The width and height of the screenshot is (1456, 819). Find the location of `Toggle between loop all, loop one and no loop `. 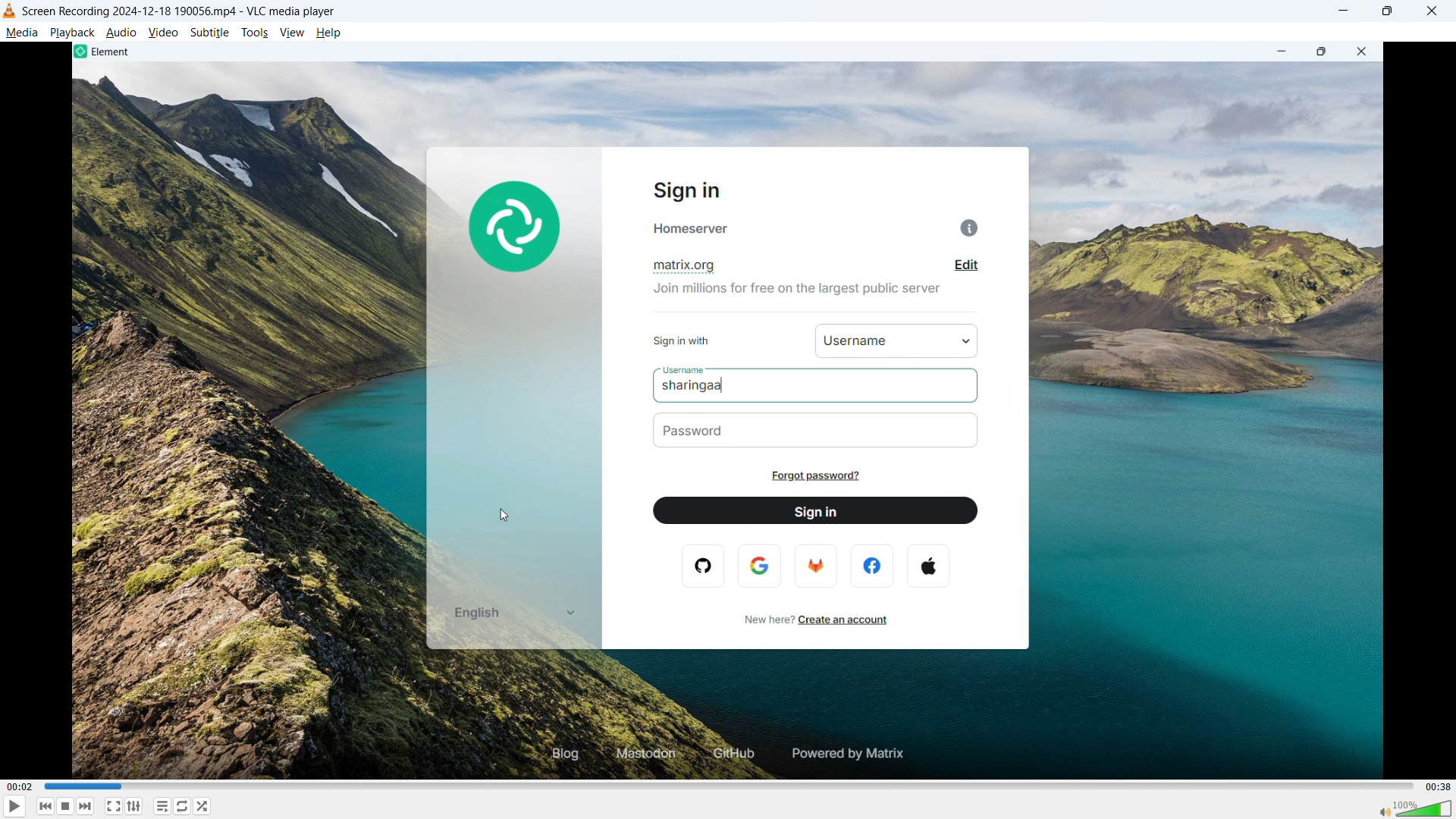

Toggle between loop all, loop one and no loop  is located at coordinates (184, 806).